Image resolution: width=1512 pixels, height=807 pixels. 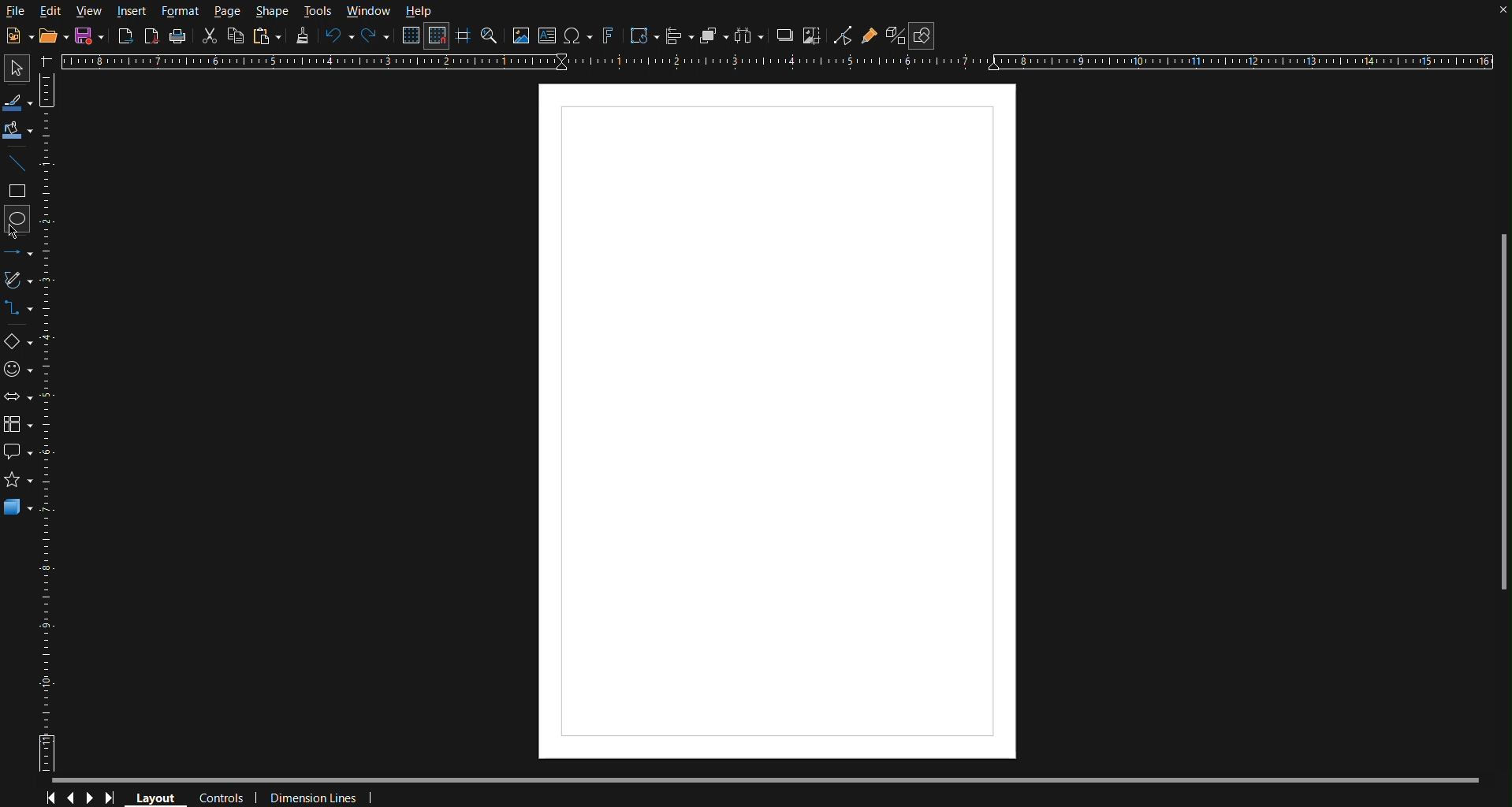 What do you see at coordinates (267, 36) in the screenshot?
I see `Paste` at bounding box center [267, 36].